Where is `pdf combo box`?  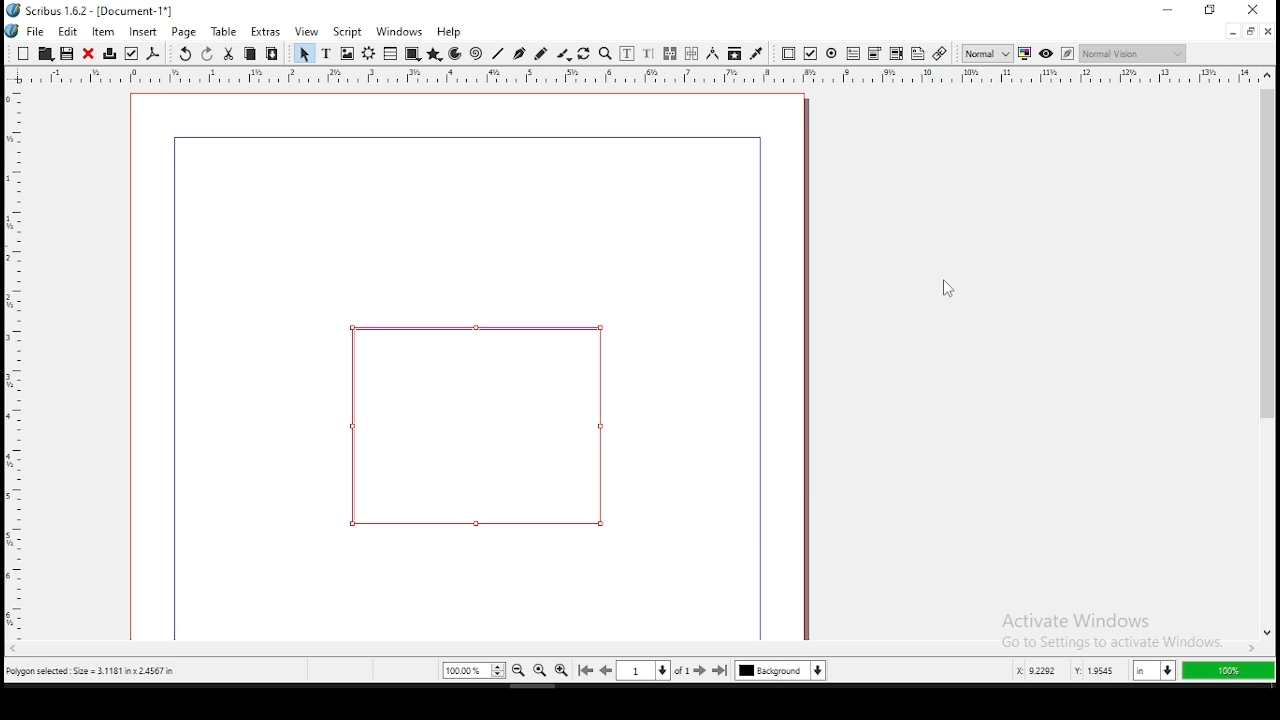
pdf combo box is located at coordinates (896, 54).